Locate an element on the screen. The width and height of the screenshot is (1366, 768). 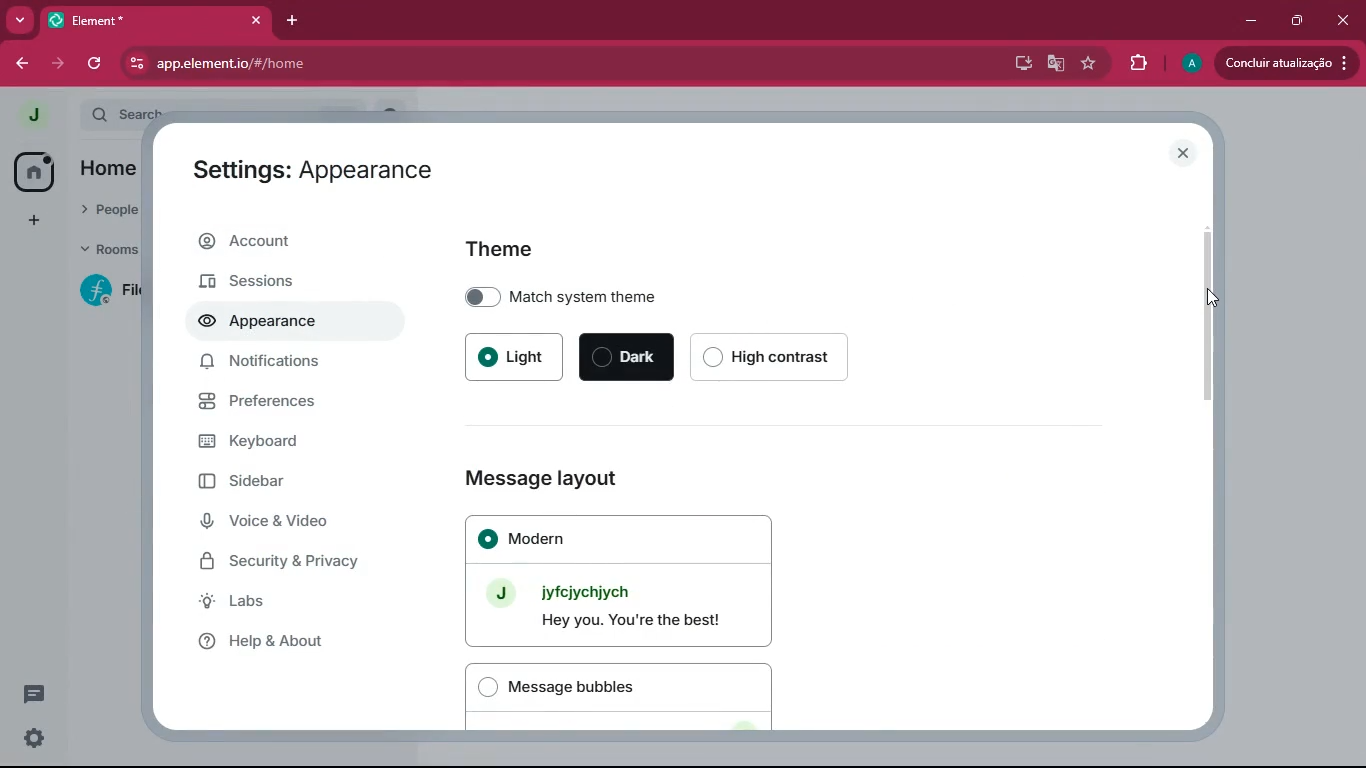
modern is located at coordinates (621, 580).